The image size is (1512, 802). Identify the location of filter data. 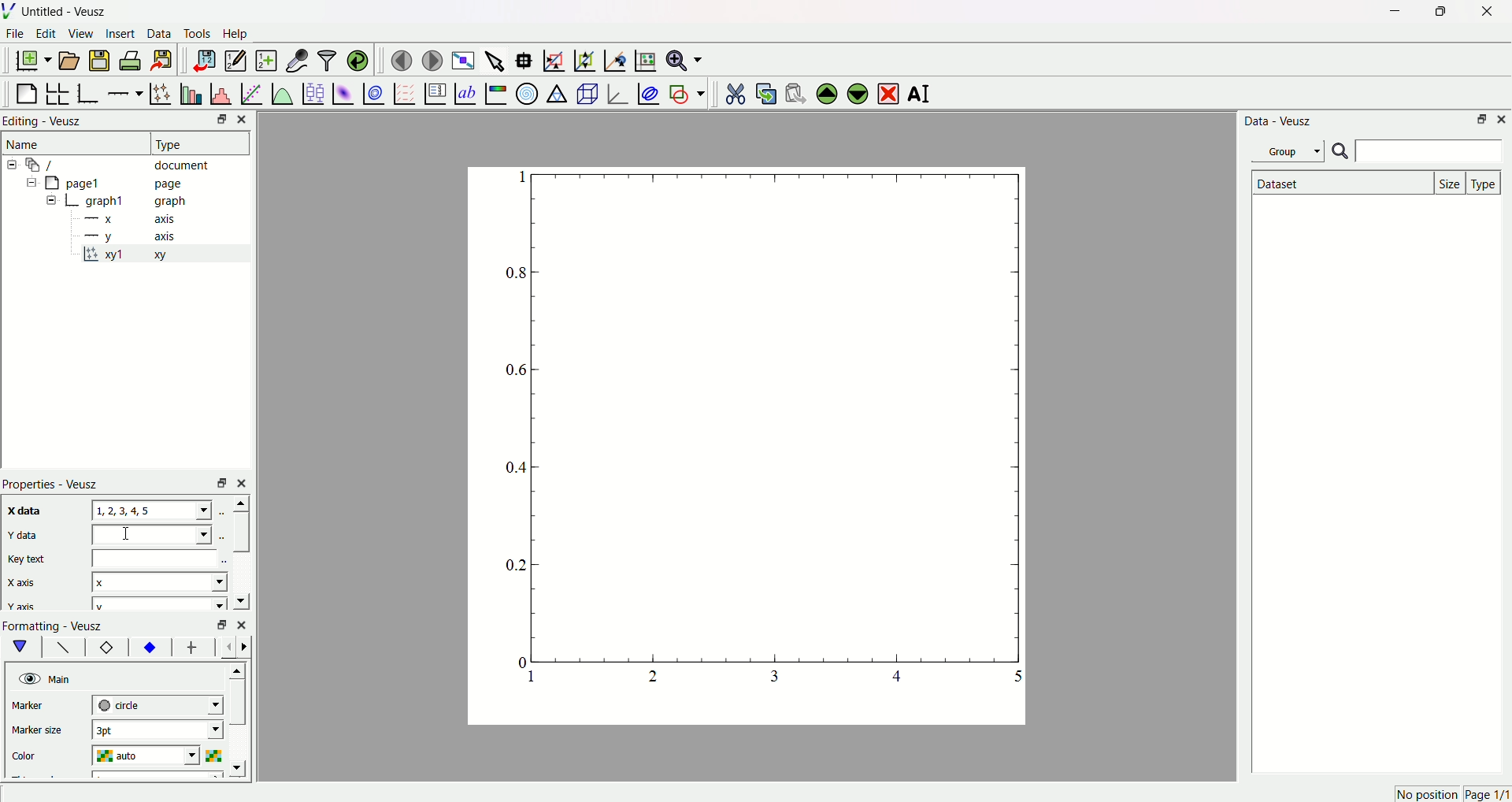
(326, 58).